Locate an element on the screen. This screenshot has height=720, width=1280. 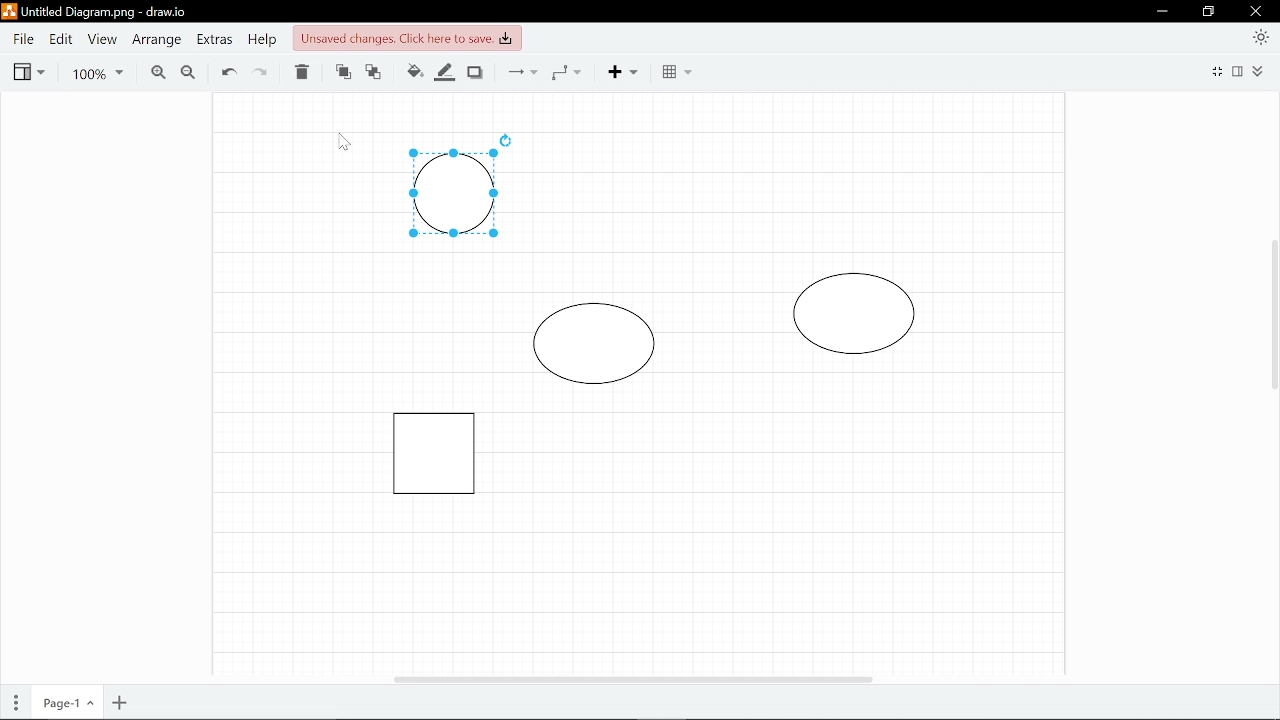
Line color is located at coordinates (446, 70).